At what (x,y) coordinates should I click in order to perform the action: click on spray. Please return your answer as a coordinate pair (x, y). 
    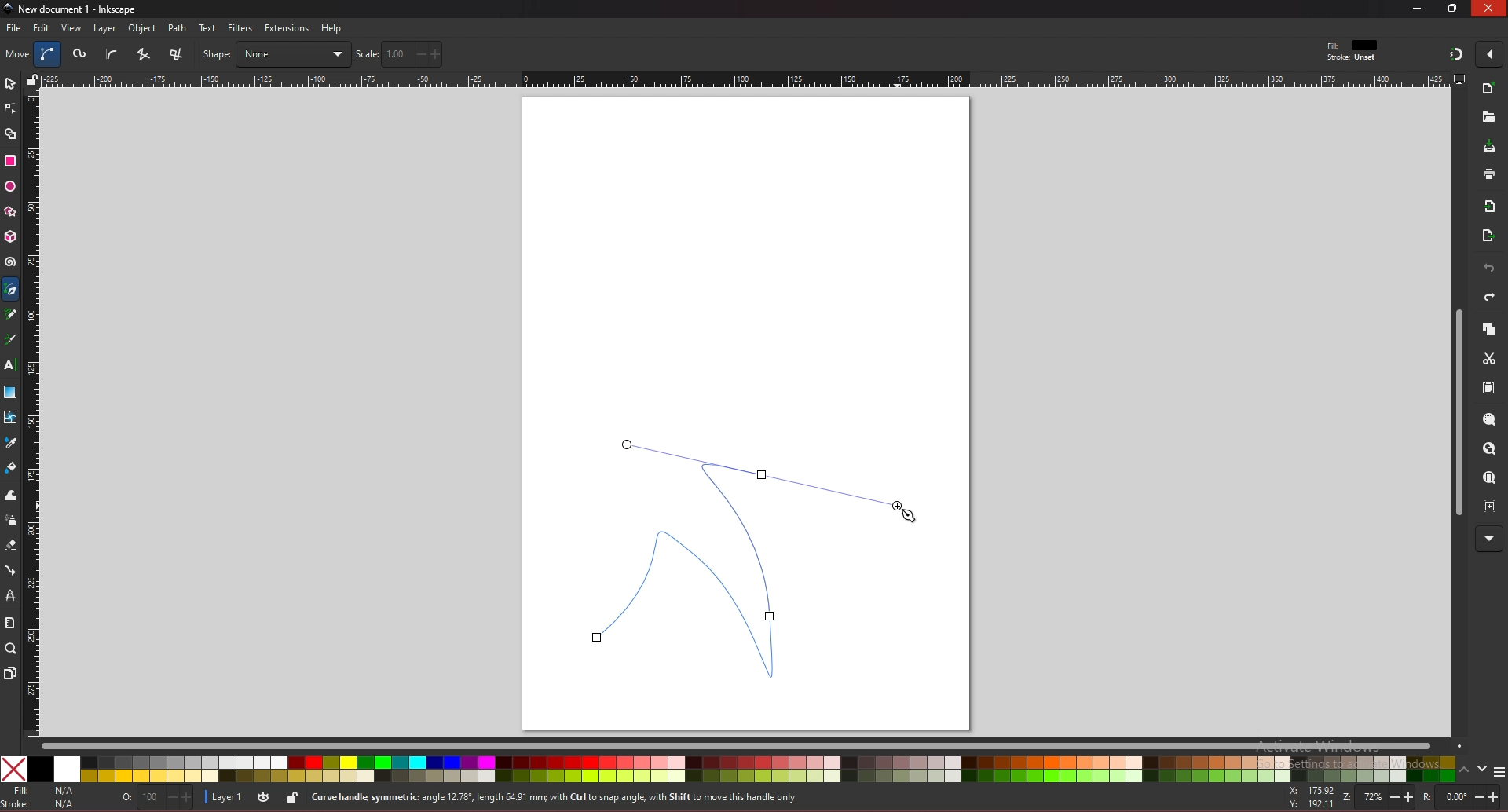
    Looking at the image, I should click on (10, 521).